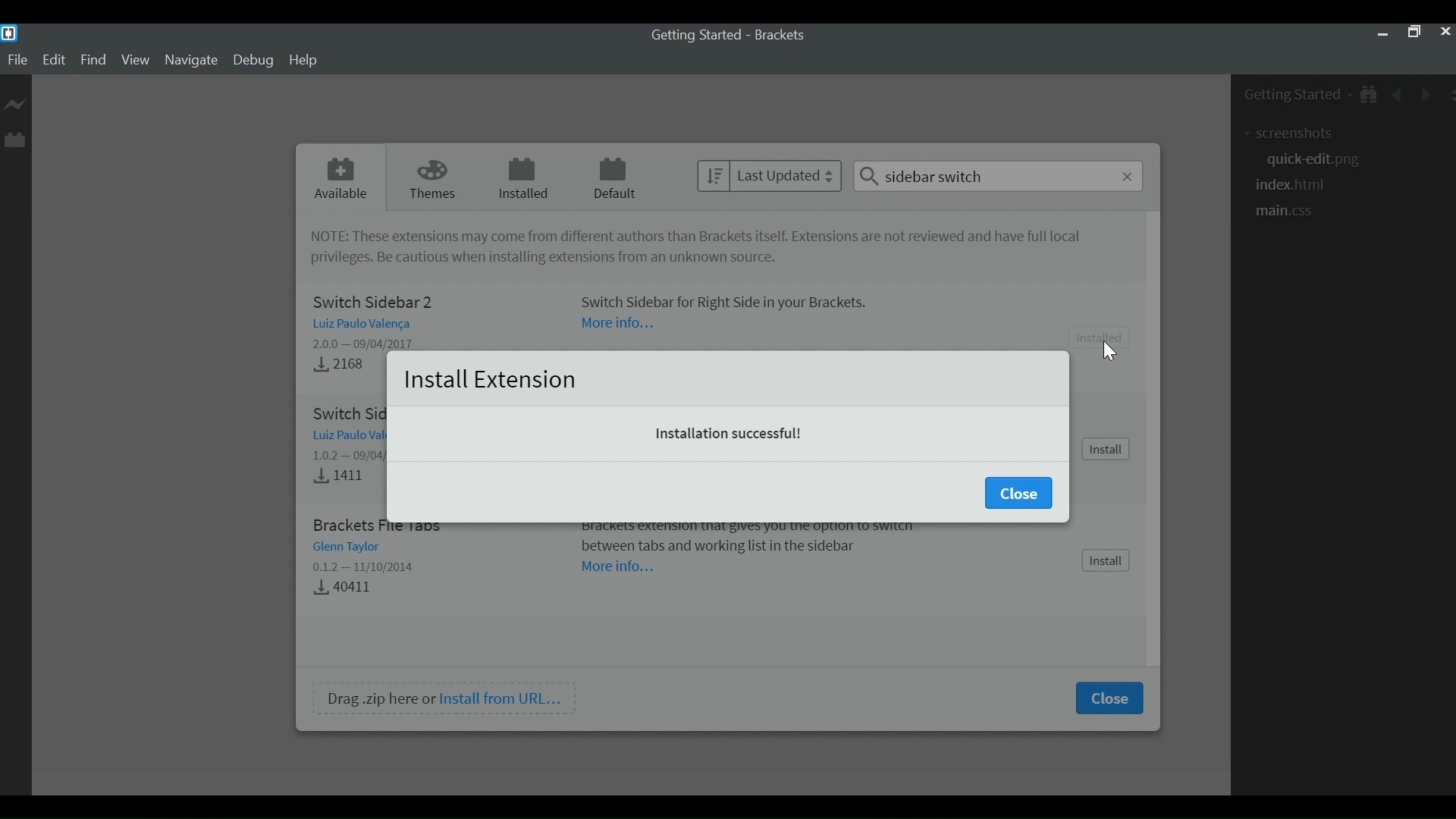  I want to click on more information, so click(613, 325).